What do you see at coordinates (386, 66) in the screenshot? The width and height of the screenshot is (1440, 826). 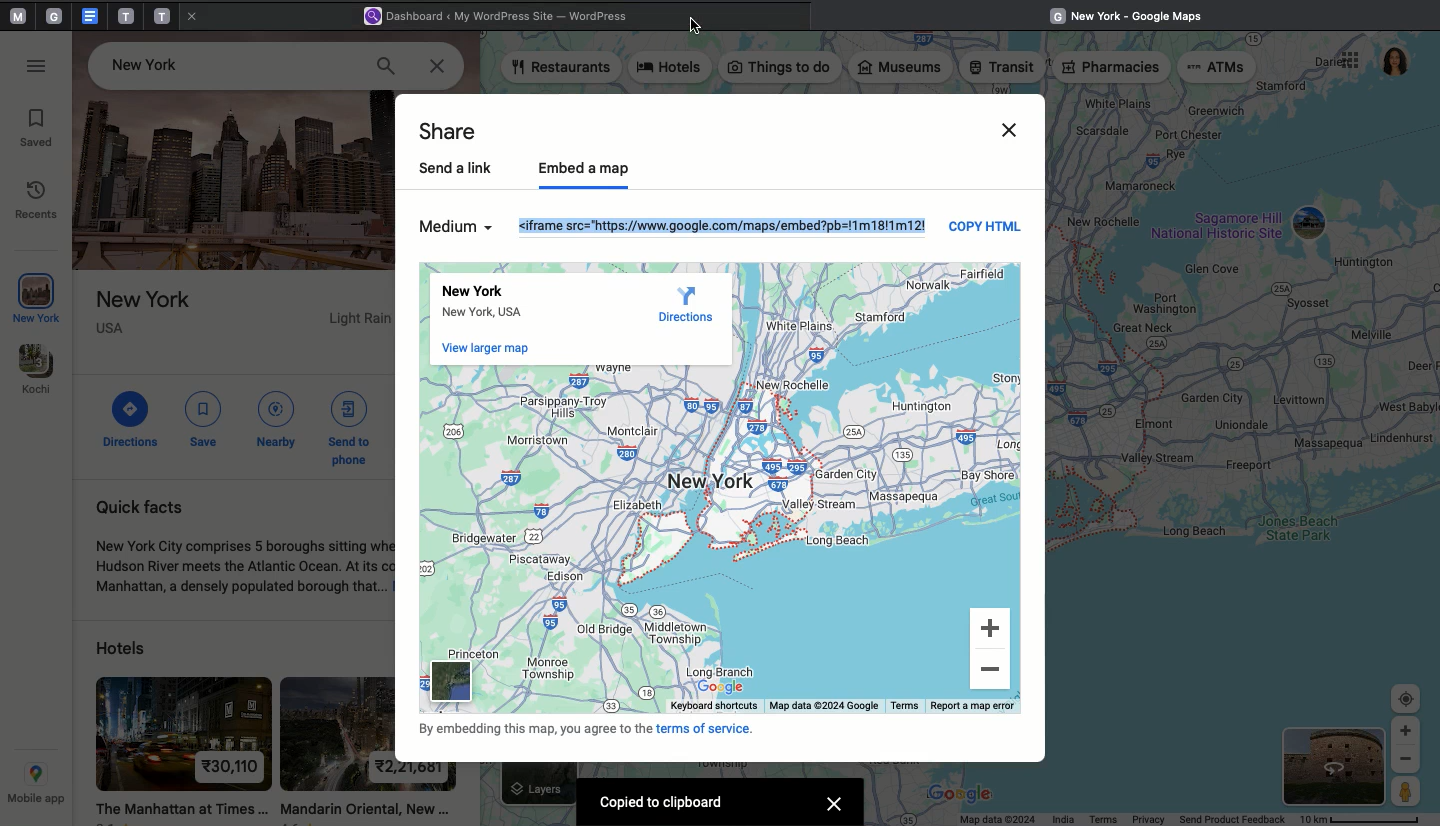 I see `Search` at bounding box center [386, 66].